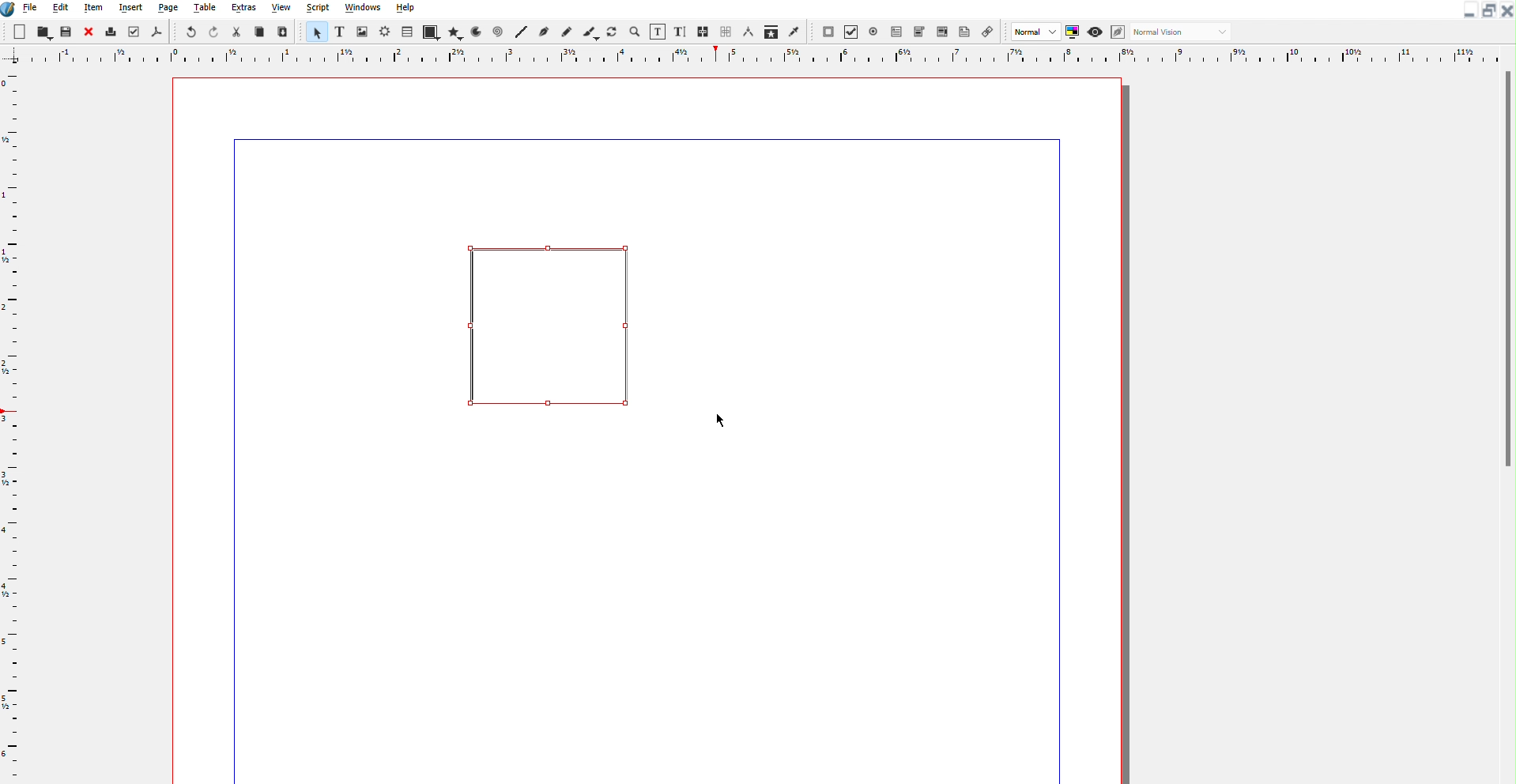  What do you see at coordinates (67, 33) in the screenshot?
I see `Save` at bounding box center [67, 33].